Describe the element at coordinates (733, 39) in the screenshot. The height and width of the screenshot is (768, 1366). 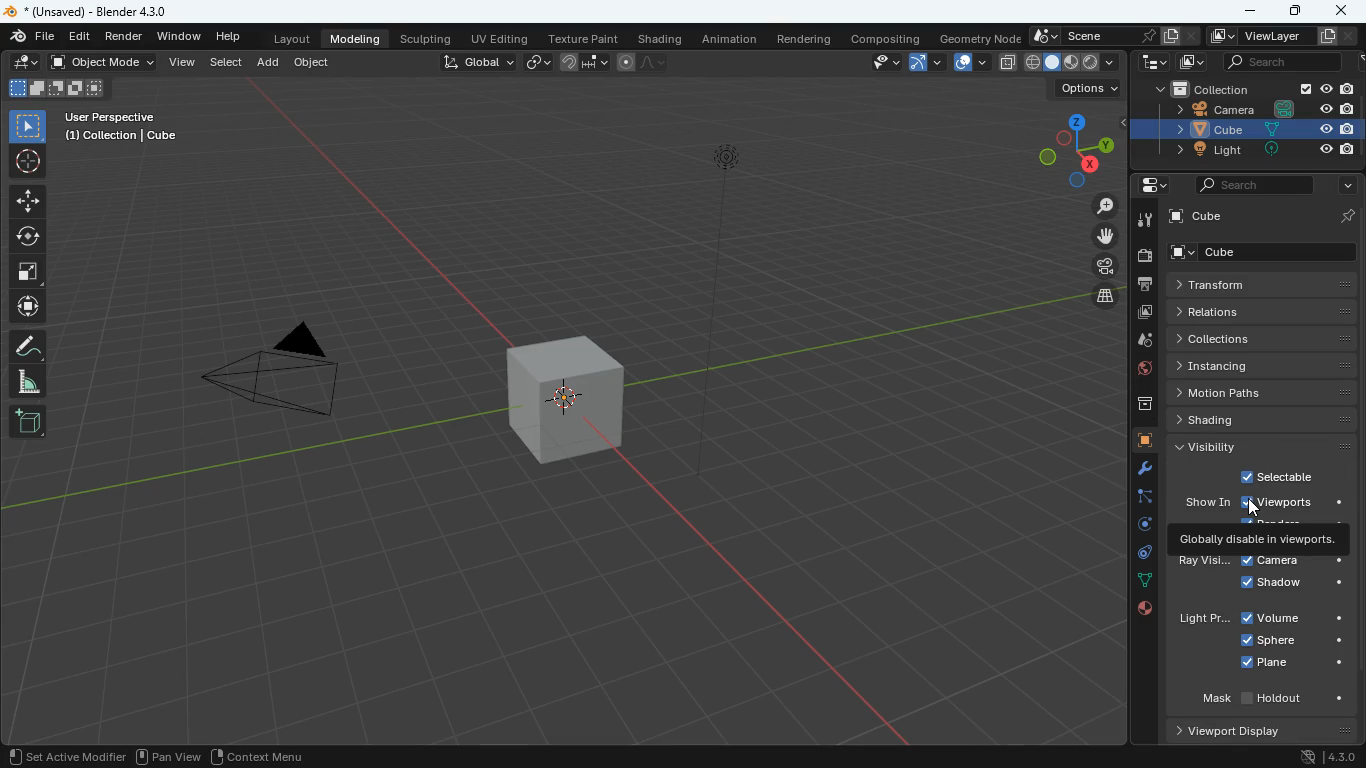
I see `animation` at that location.